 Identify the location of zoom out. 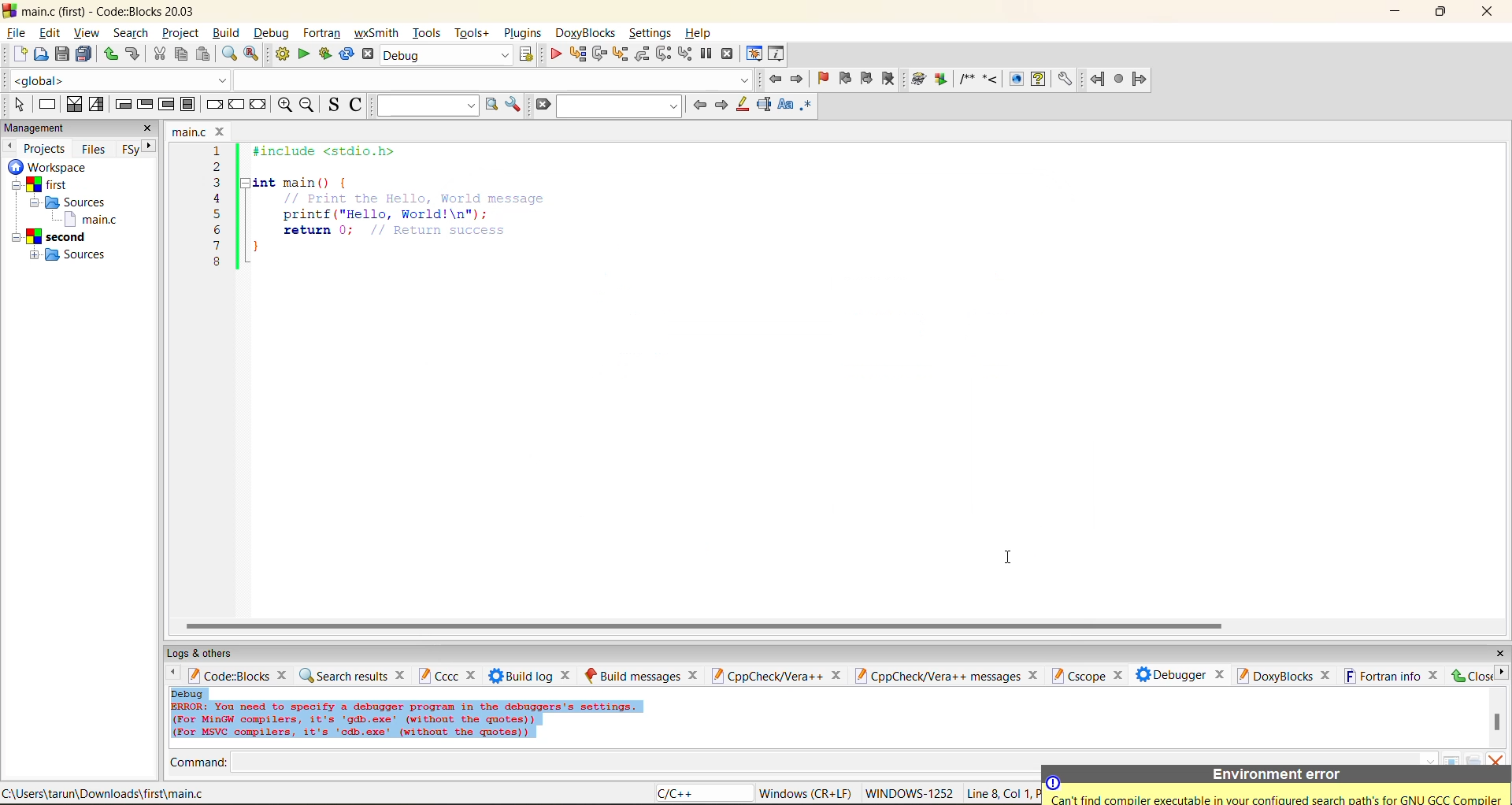
(306, 106).